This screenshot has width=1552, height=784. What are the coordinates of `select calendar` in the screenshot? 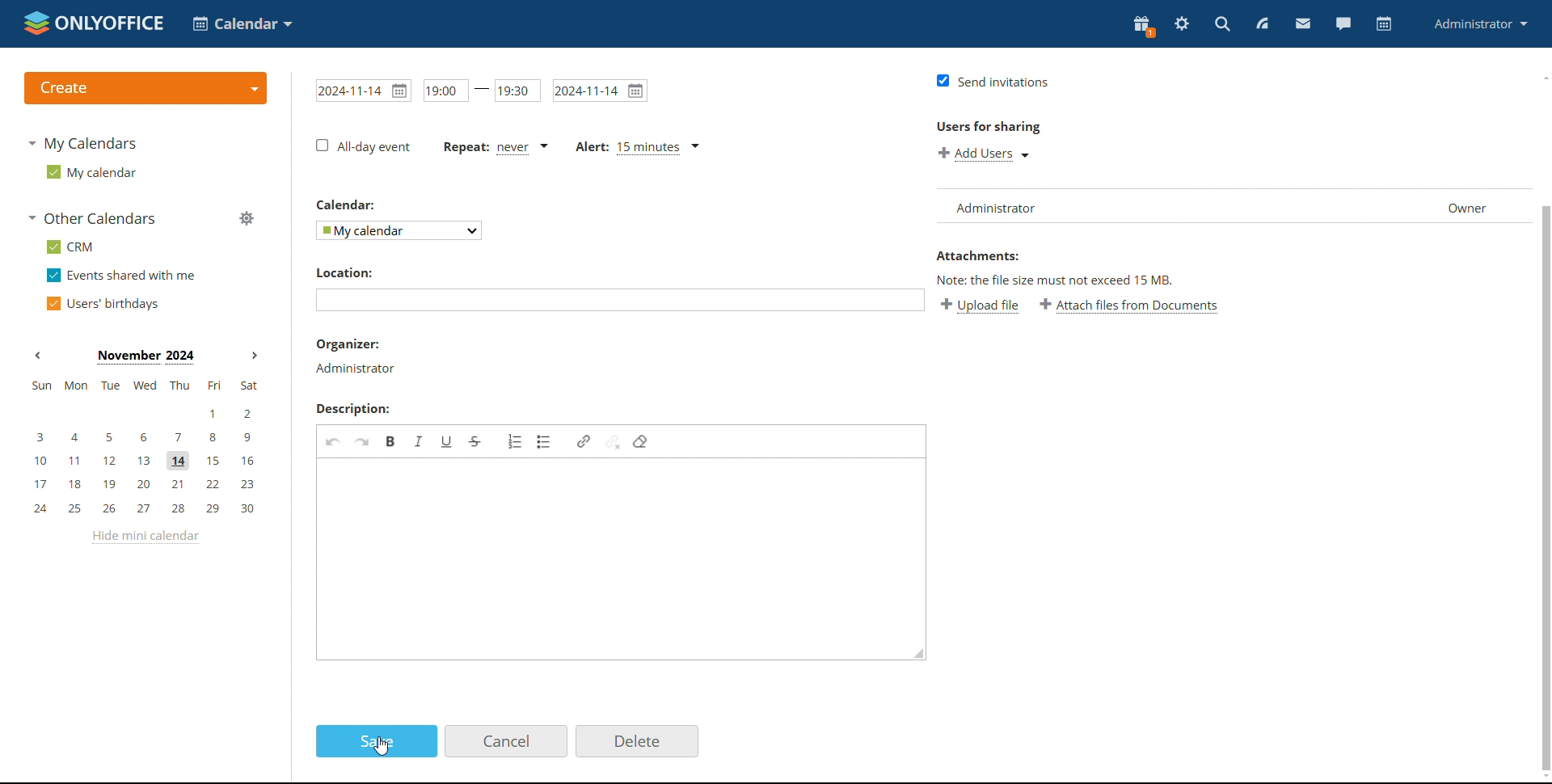 It's located at (398, 231).